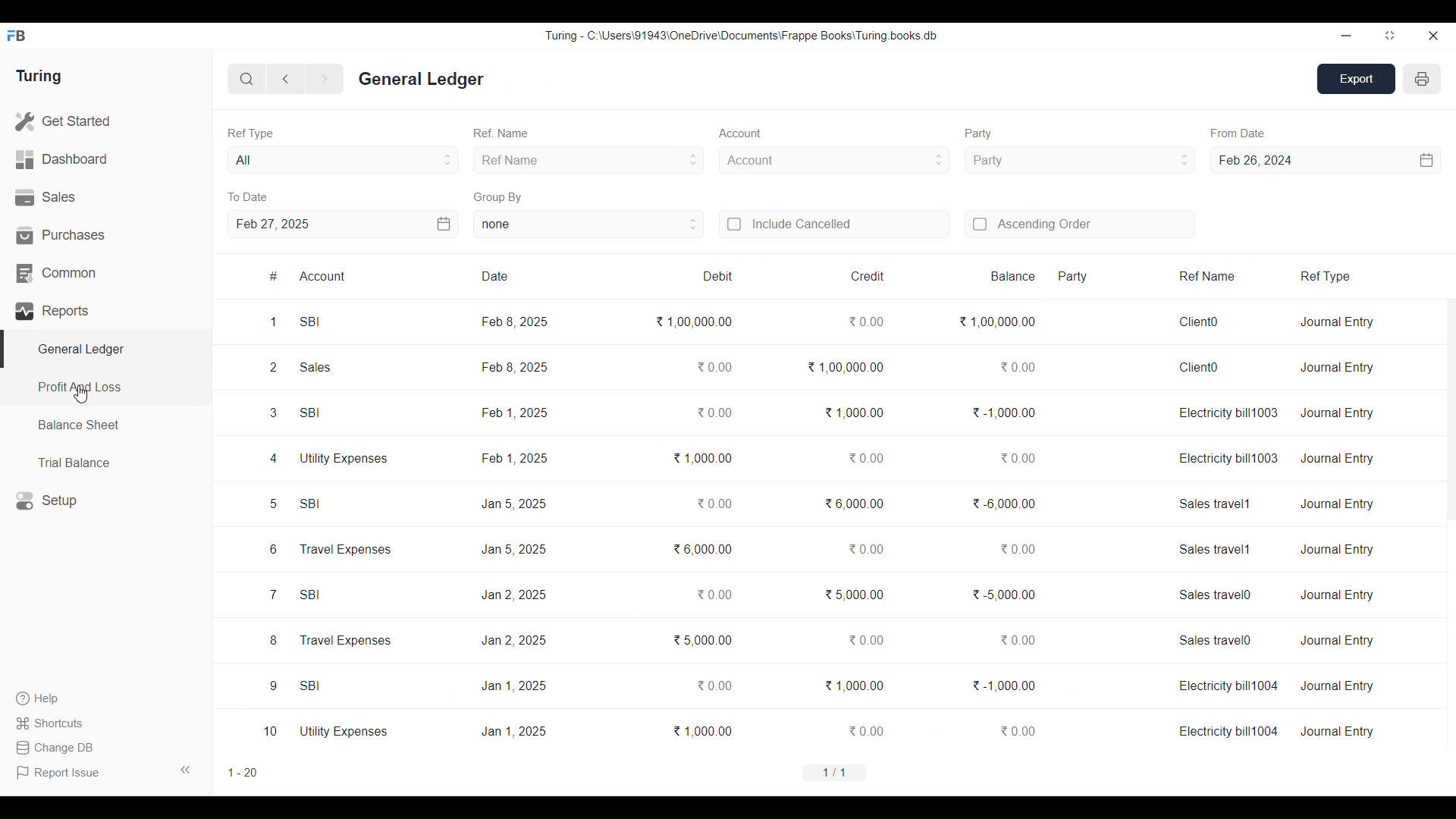 The image size is (1456, 819). What do you see at coordinates (106, 311) in the screenshot?
I see `Reports` at bounding box center [106, 311].